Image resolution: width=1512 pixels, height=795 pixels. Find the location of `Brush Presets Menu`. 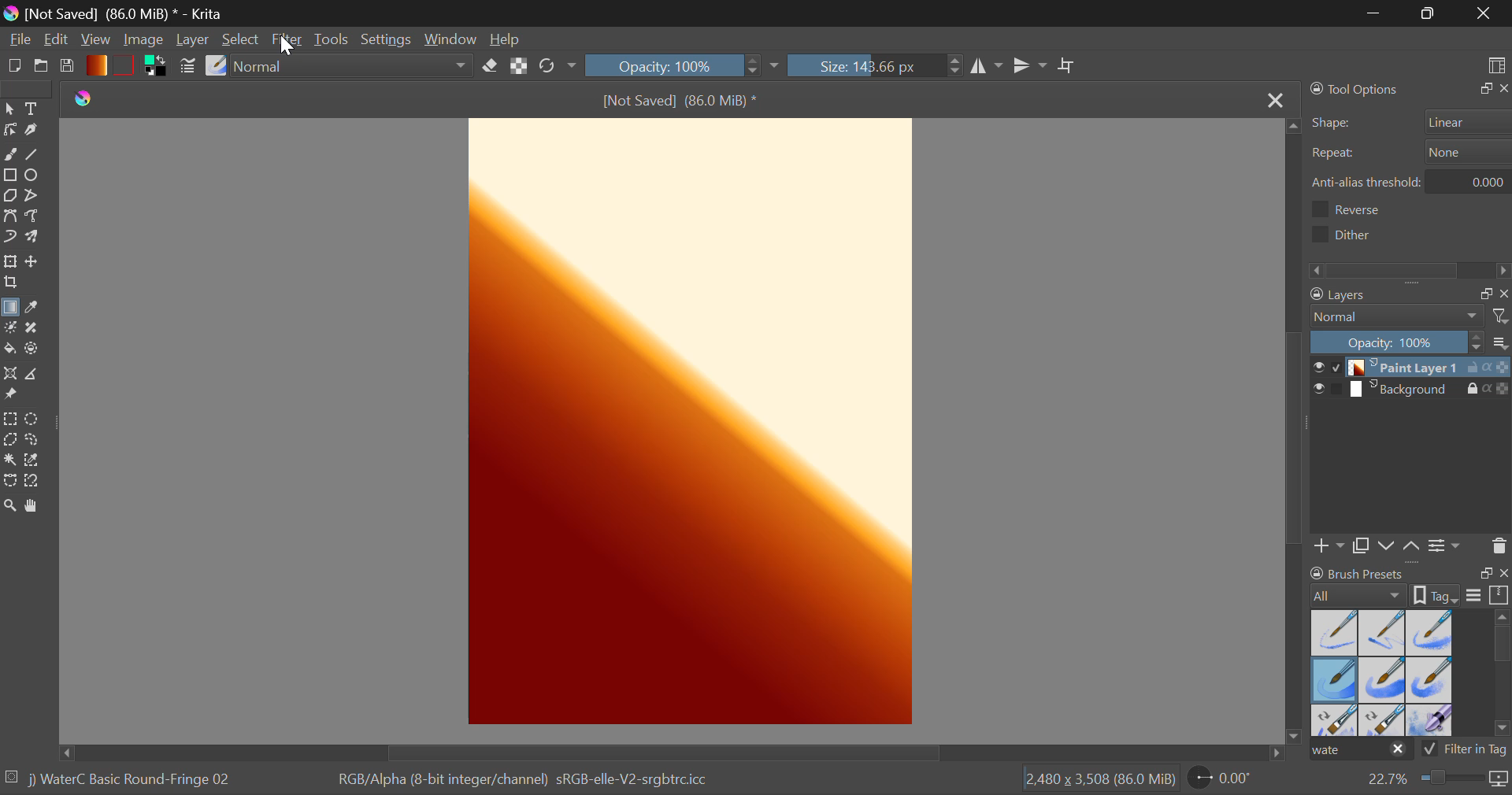

Brush Presets Menu is located at coordinates (1381, 671).